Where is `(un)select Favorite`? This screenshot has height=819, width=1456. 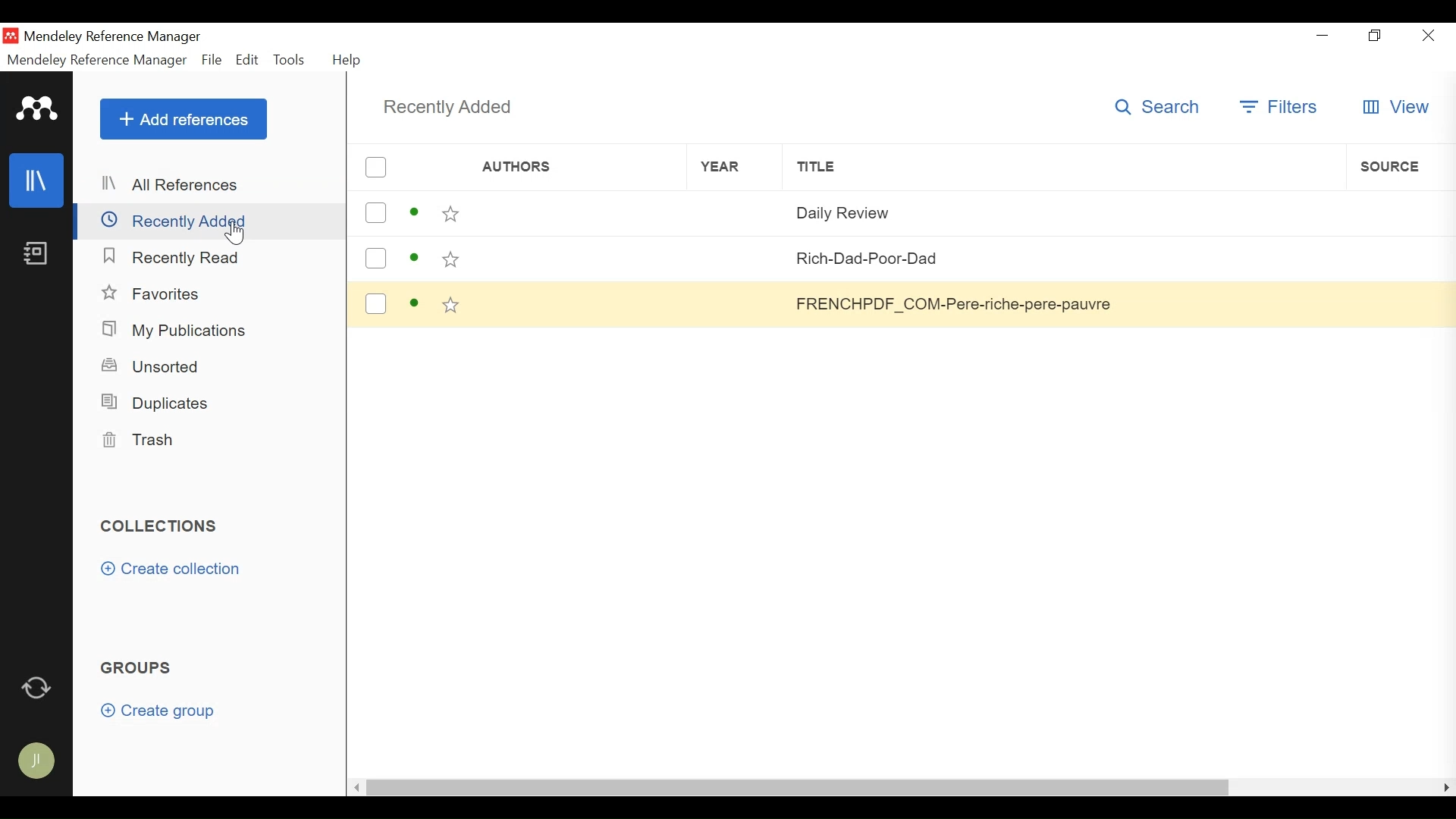 (un)select Favorite is located at coordinates (451, 306).